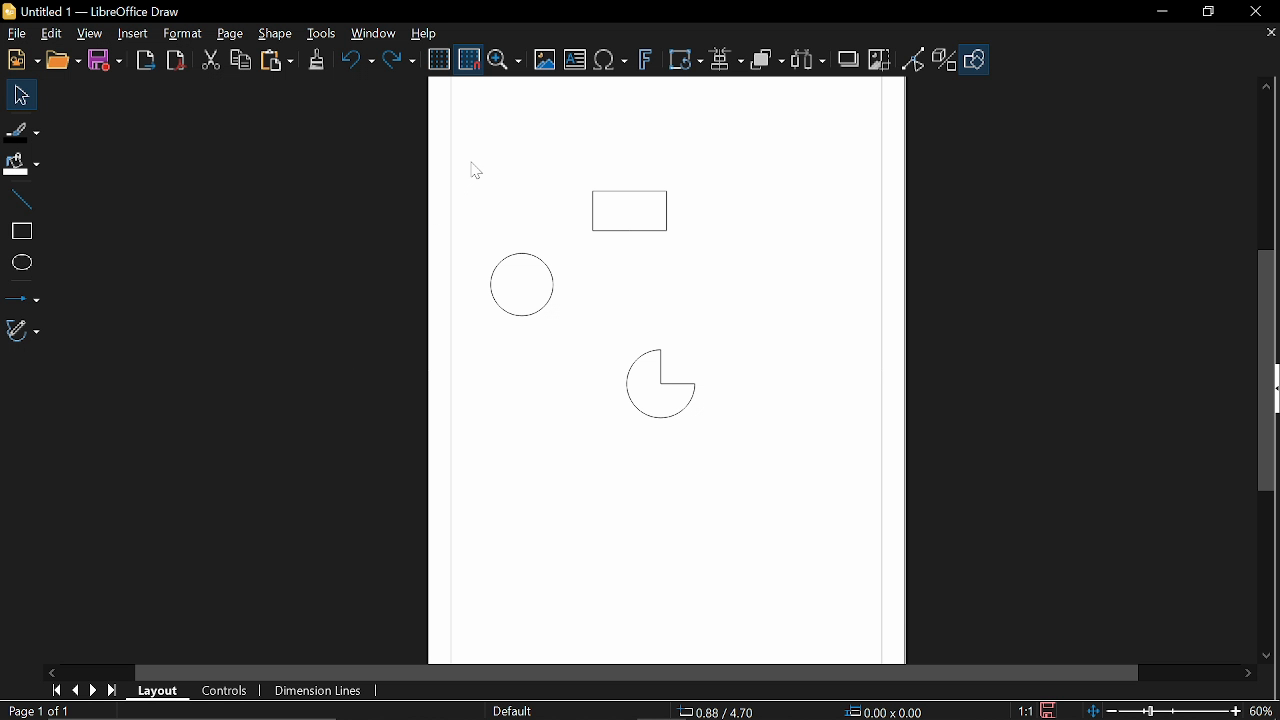 This screenshot has height=720, width=1280. I want to click on Fill Line , so click(22, 131).